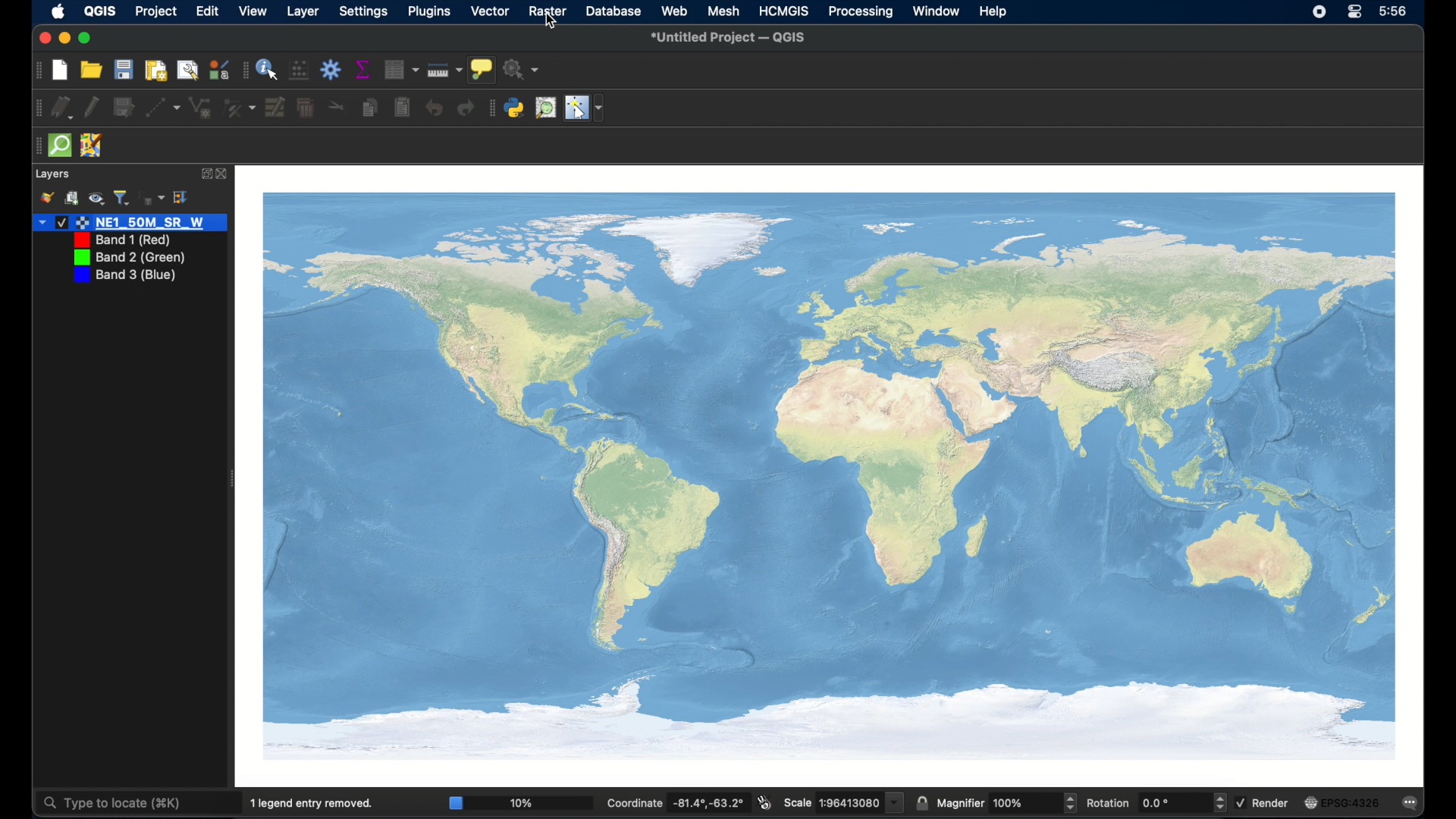 This screenshot has height=819, width=1456. What do you see at coordinates (122, 197) in the screenshot?
I see `filter legend` at bounding box center [122, 197].